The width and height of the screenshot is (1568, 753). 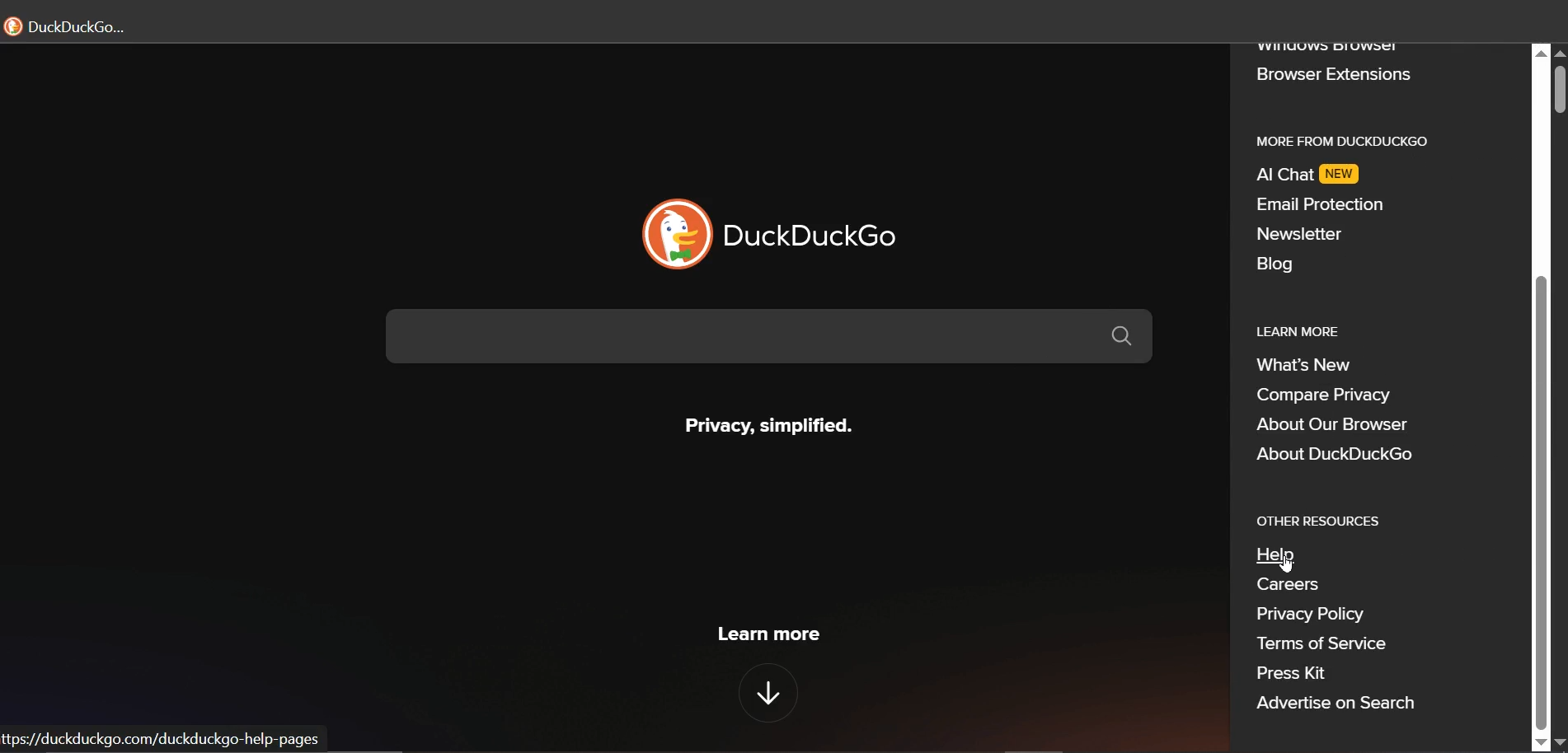 I want to click on Email Protection, so click(x=1321, y=203).